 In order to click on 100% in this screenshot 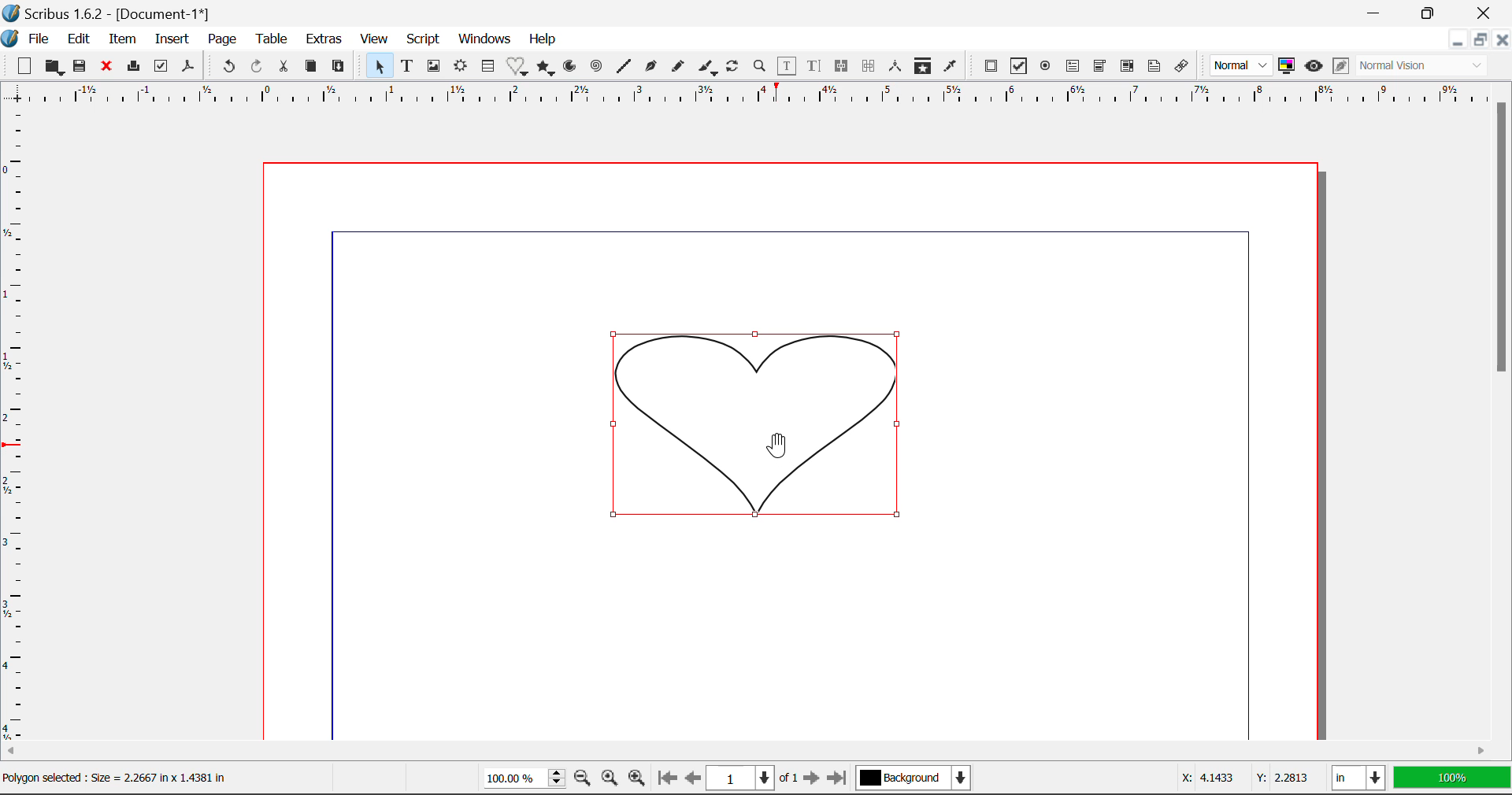, I will do `click(520, 780)`.